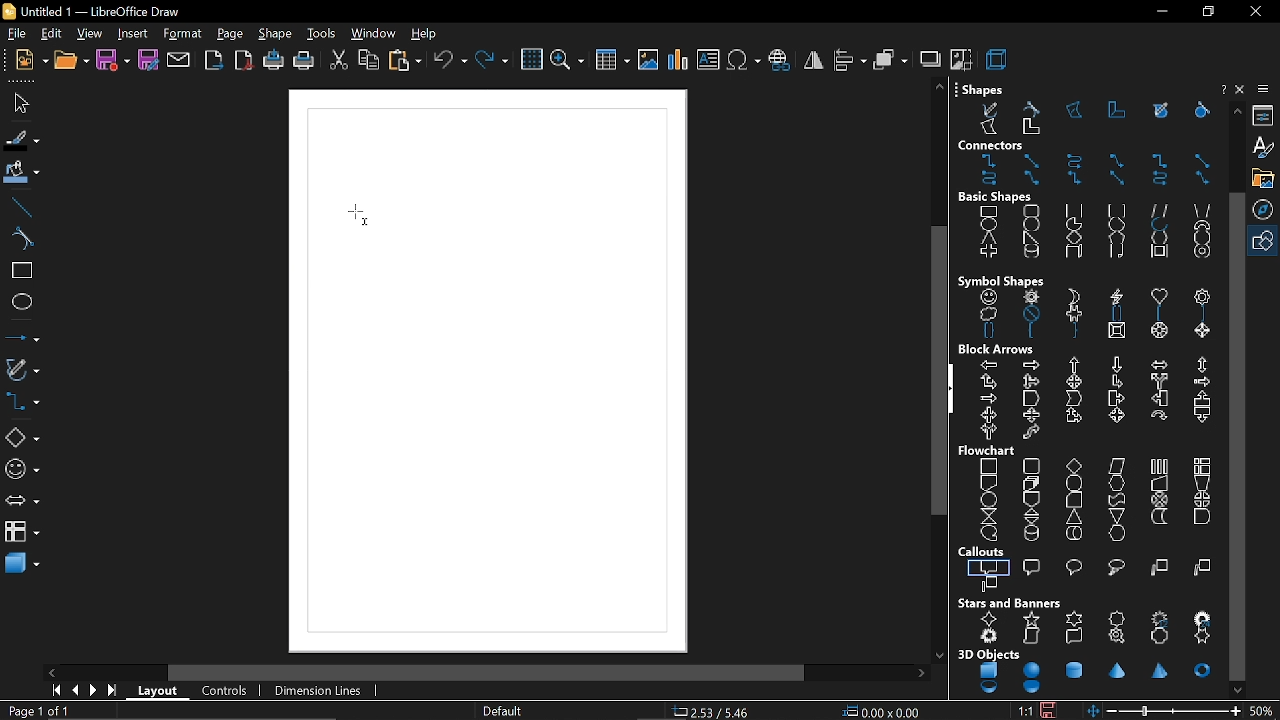 This screenshot has height=720, width=1280. Describe the element at coordinates (1160, 210) in the screenshot. I see `parallelogram` at that location.